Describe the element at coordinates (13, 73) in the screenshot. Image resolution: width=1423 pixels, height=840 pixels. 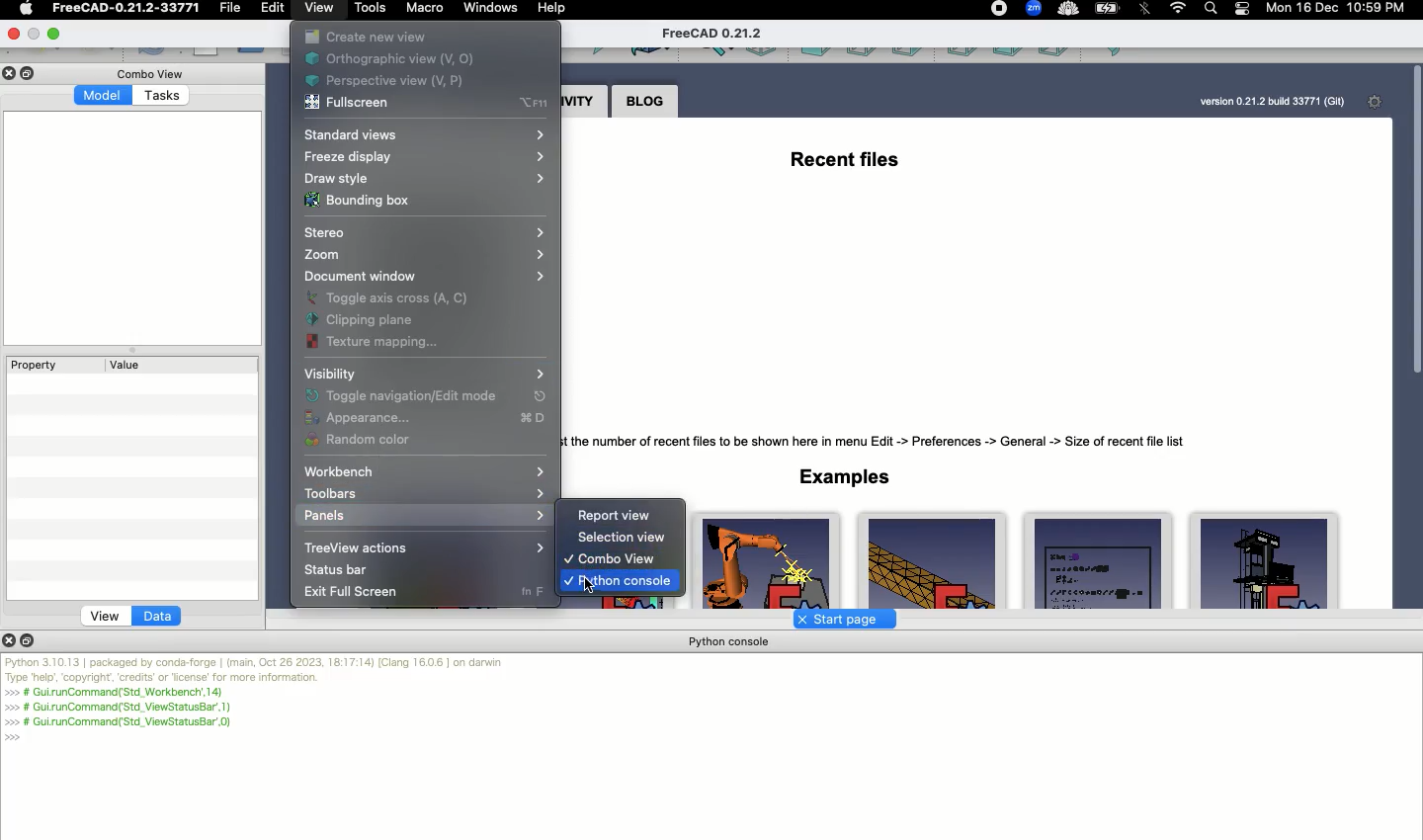
I see `Close` at that location.